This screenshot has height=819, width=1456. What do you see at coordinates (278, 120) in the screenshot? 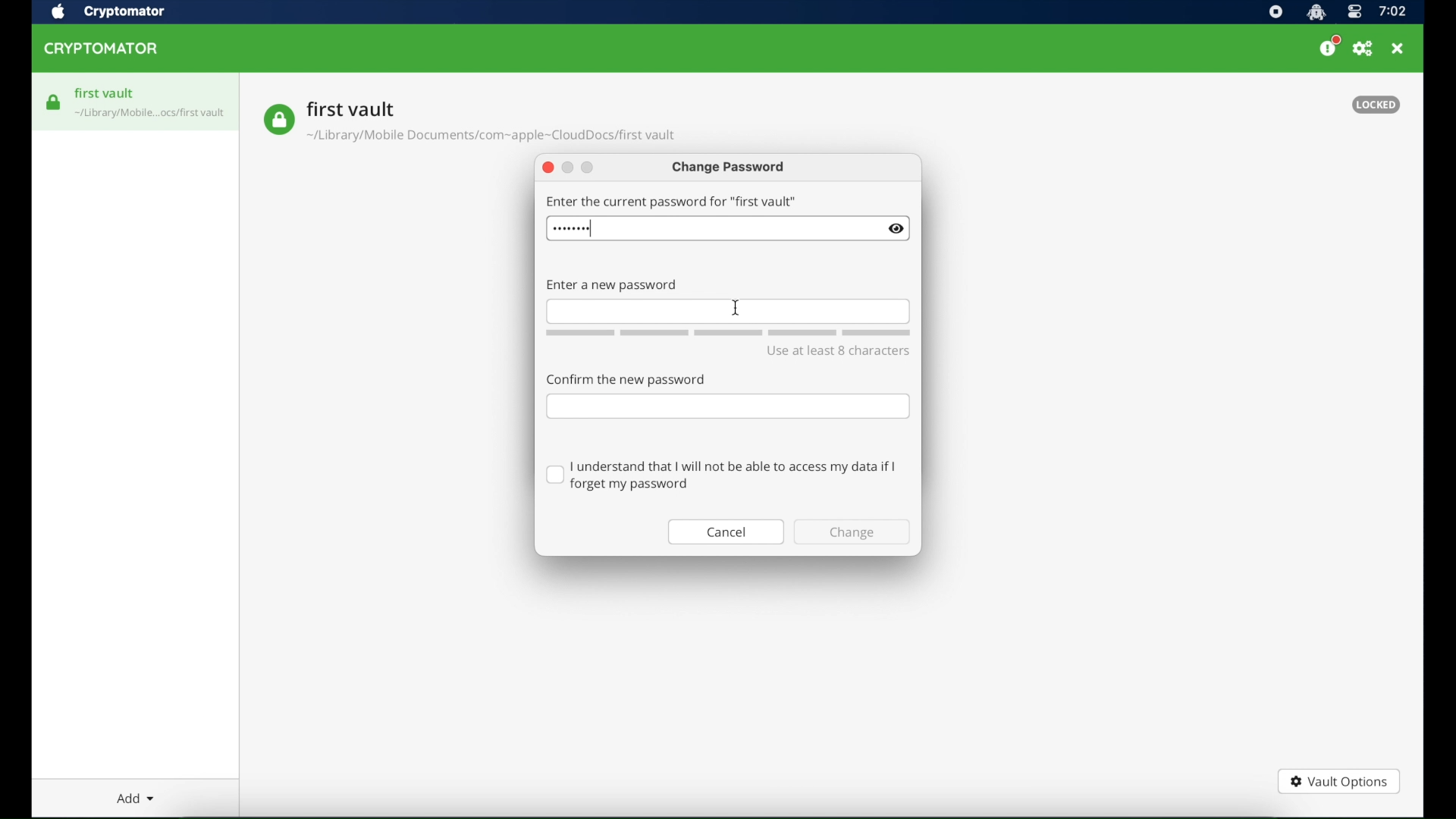
I see `vault icon` at bounding box center [278, 120].